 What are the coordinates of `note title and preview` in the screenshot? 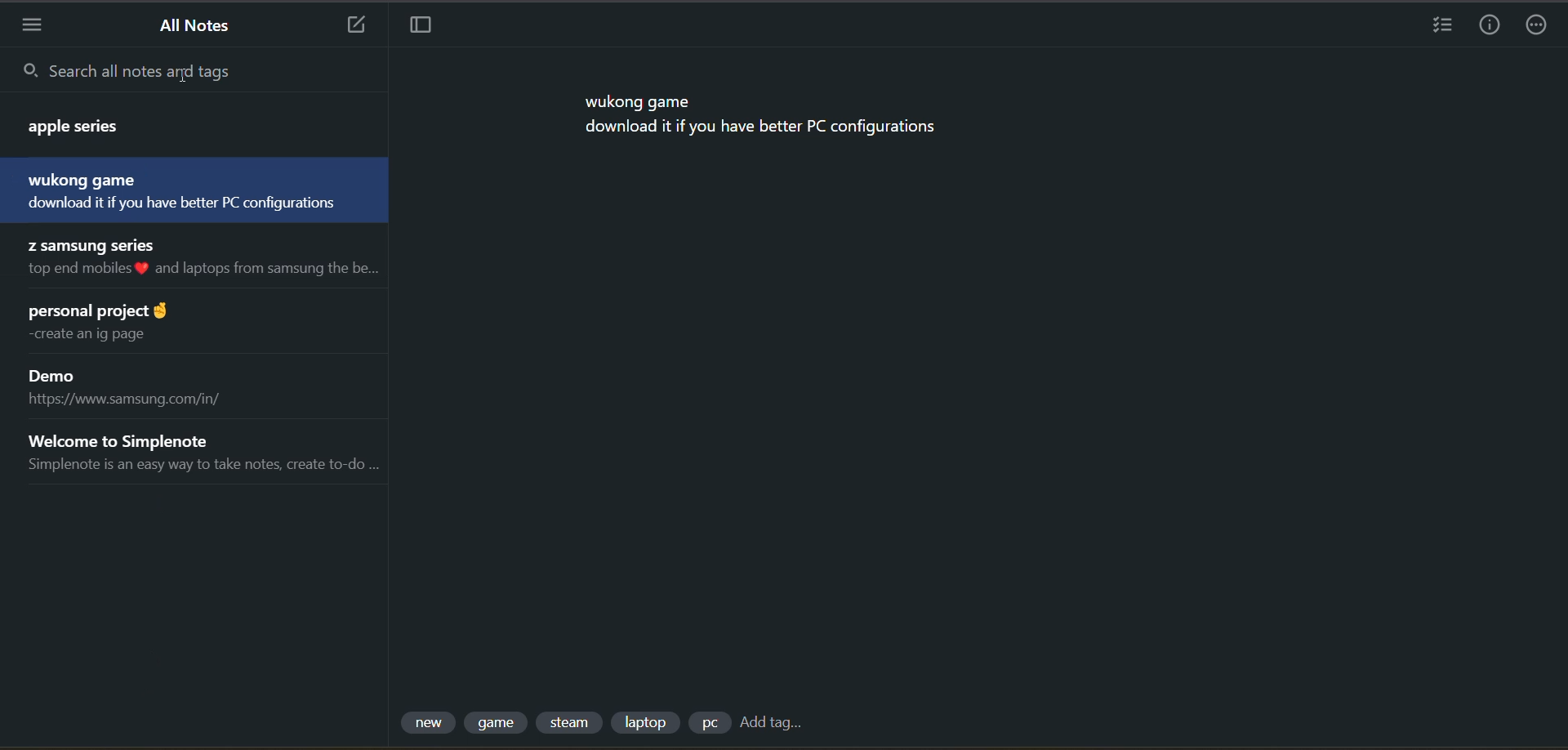 It's located at (192, 134).